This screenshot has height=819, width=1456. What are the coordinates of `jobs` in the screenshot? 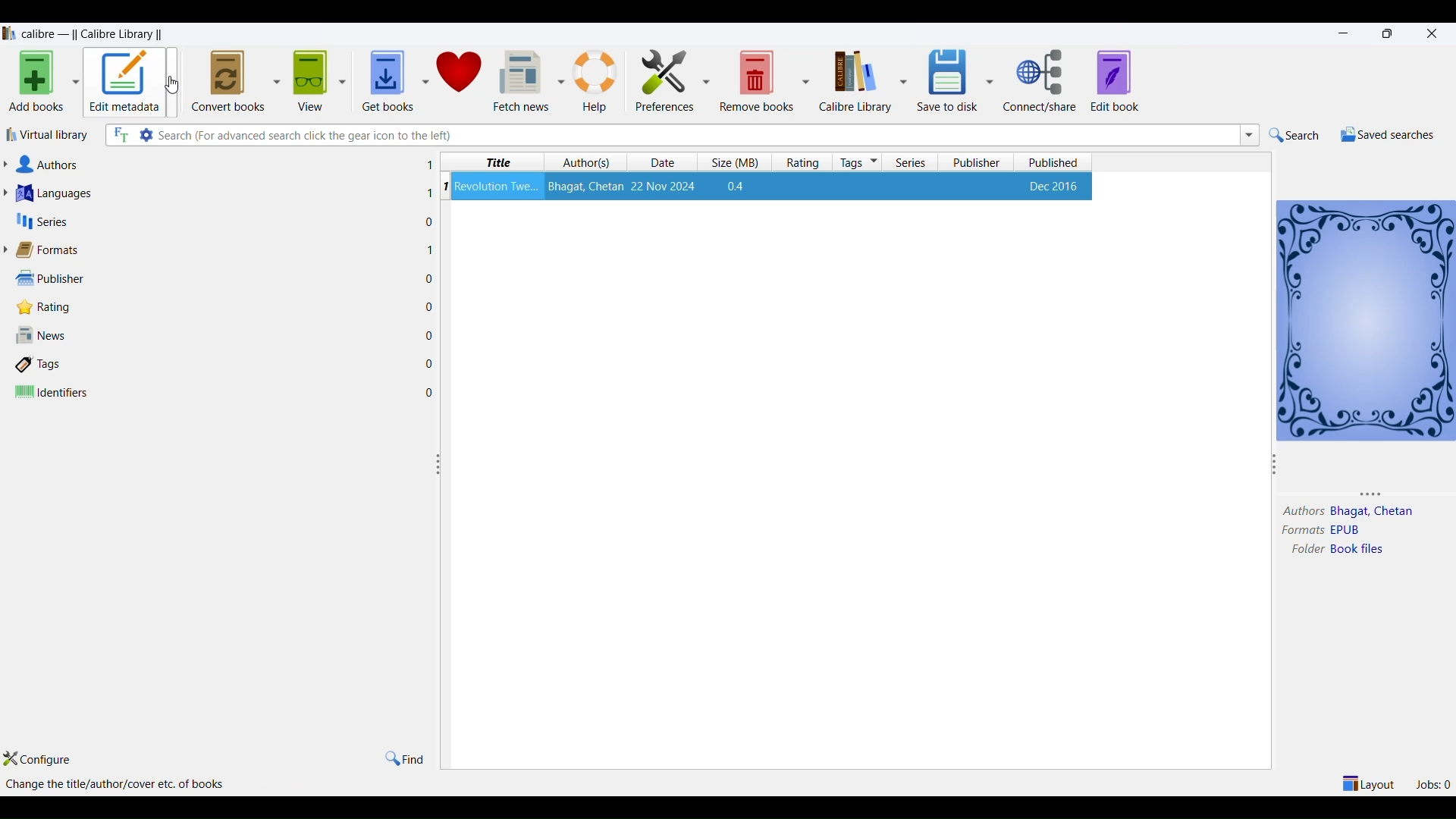 It's located at (1429, 783).